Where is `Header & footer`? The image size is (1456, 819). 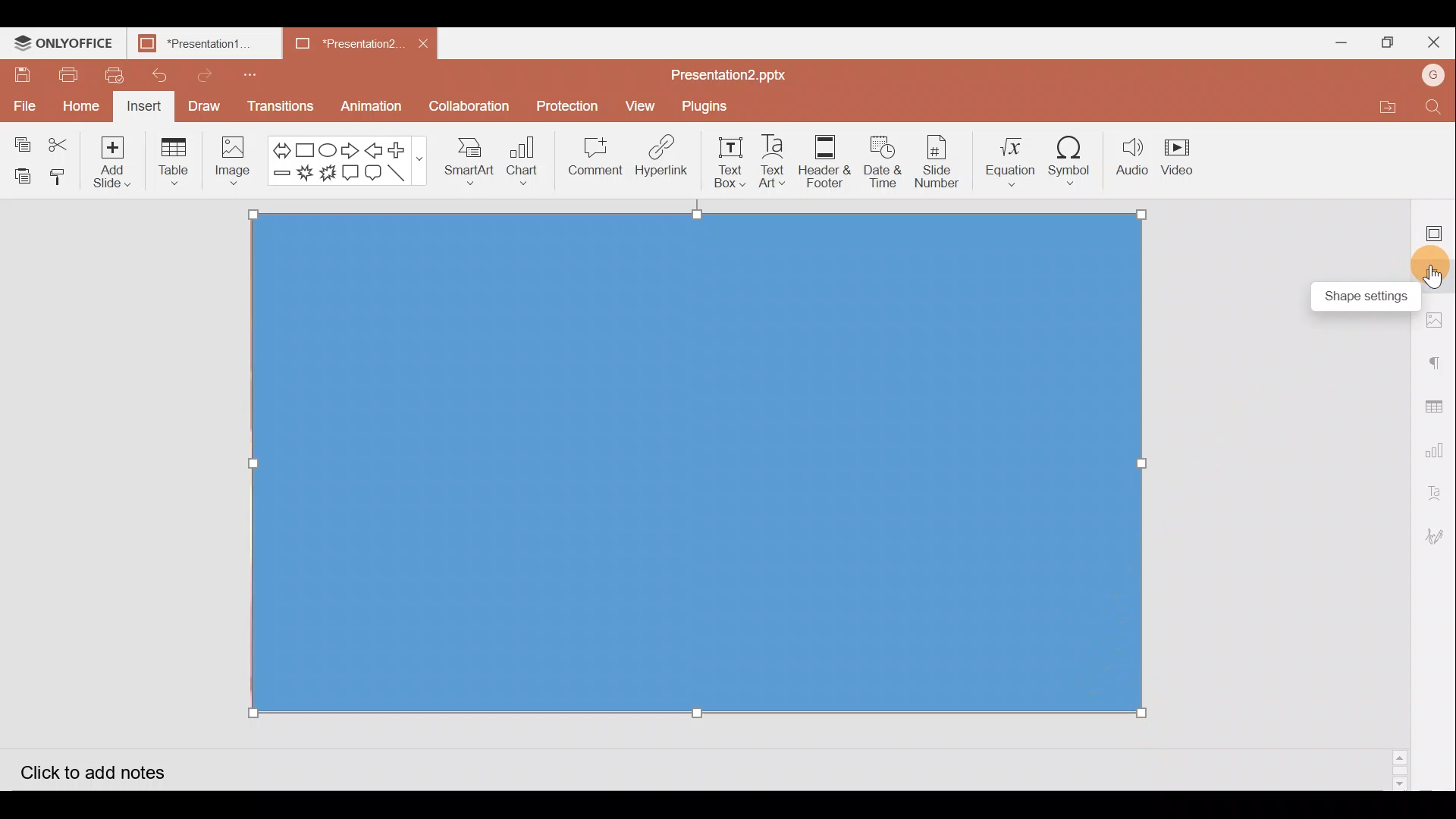 Header & footer is located at coordinates (824, 164).